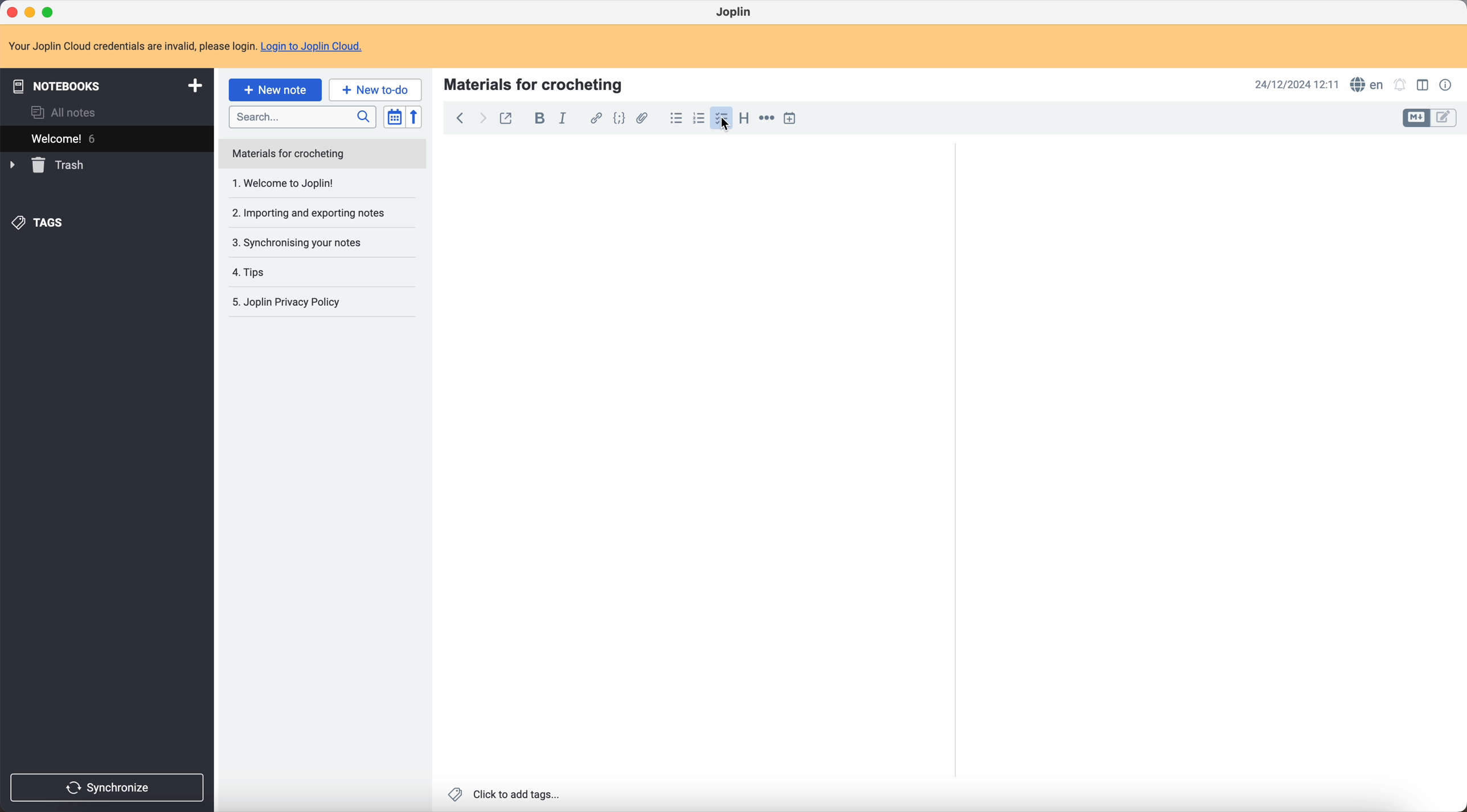 The image size is (1467, 812). Describe the element at coordinates (186, 46) in the screenshot. I see `note` at that location.